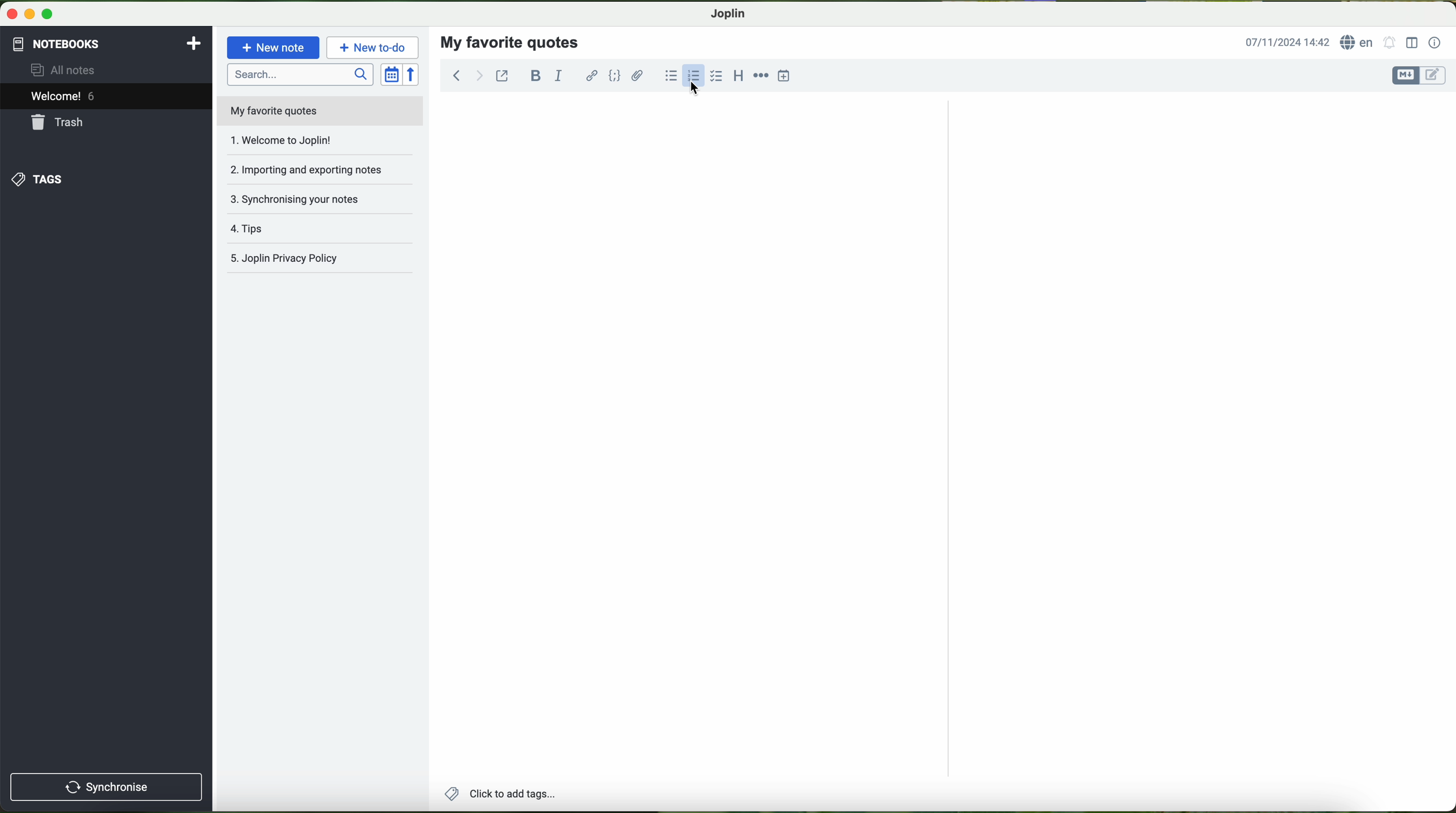  Describe the element at coordinates (412, 75) in the screenshot. I see `reverse sort order` at that location.